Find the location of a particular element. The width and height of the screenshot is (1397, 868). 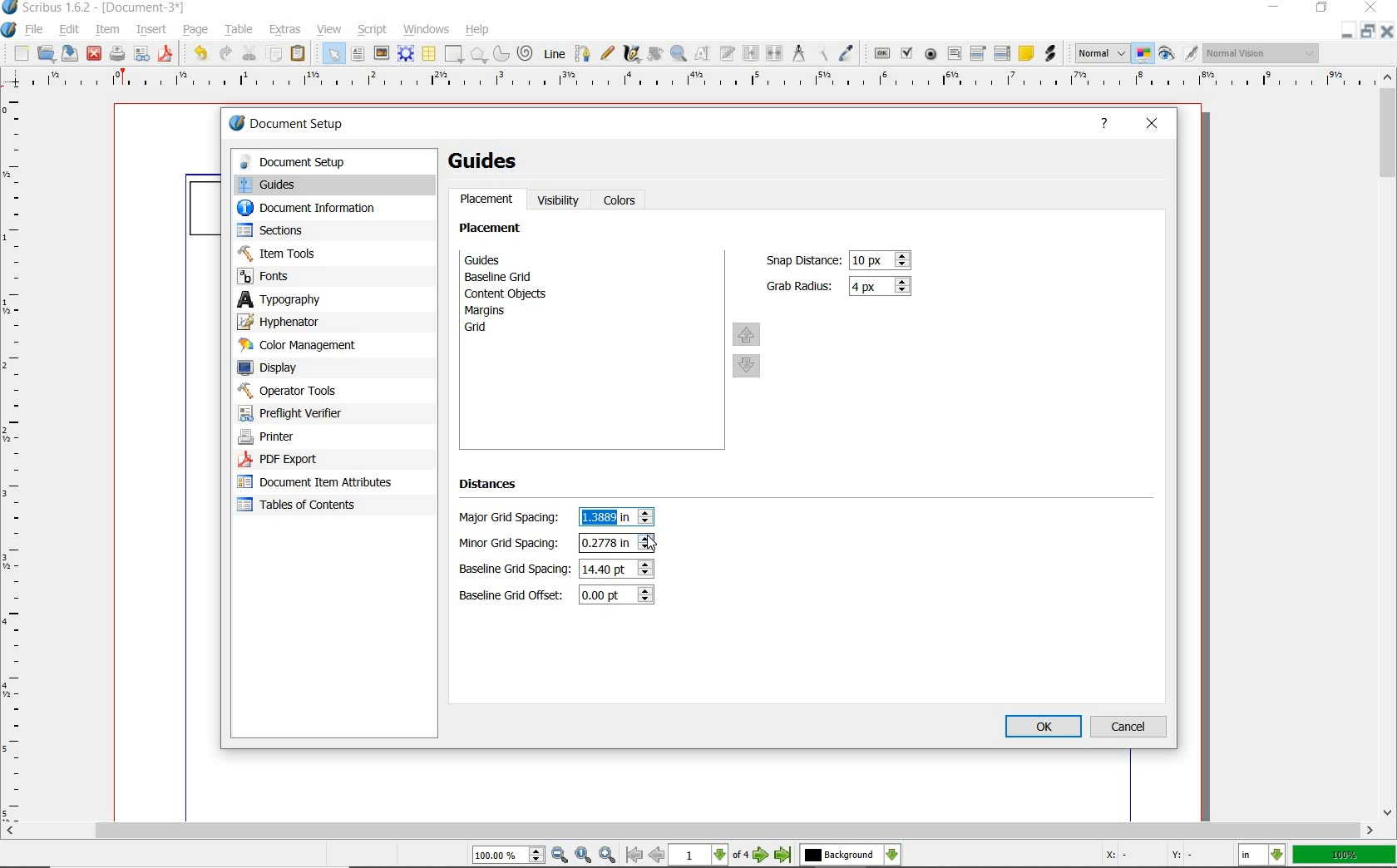

pdf combo box is located at coordinates (978, 52).